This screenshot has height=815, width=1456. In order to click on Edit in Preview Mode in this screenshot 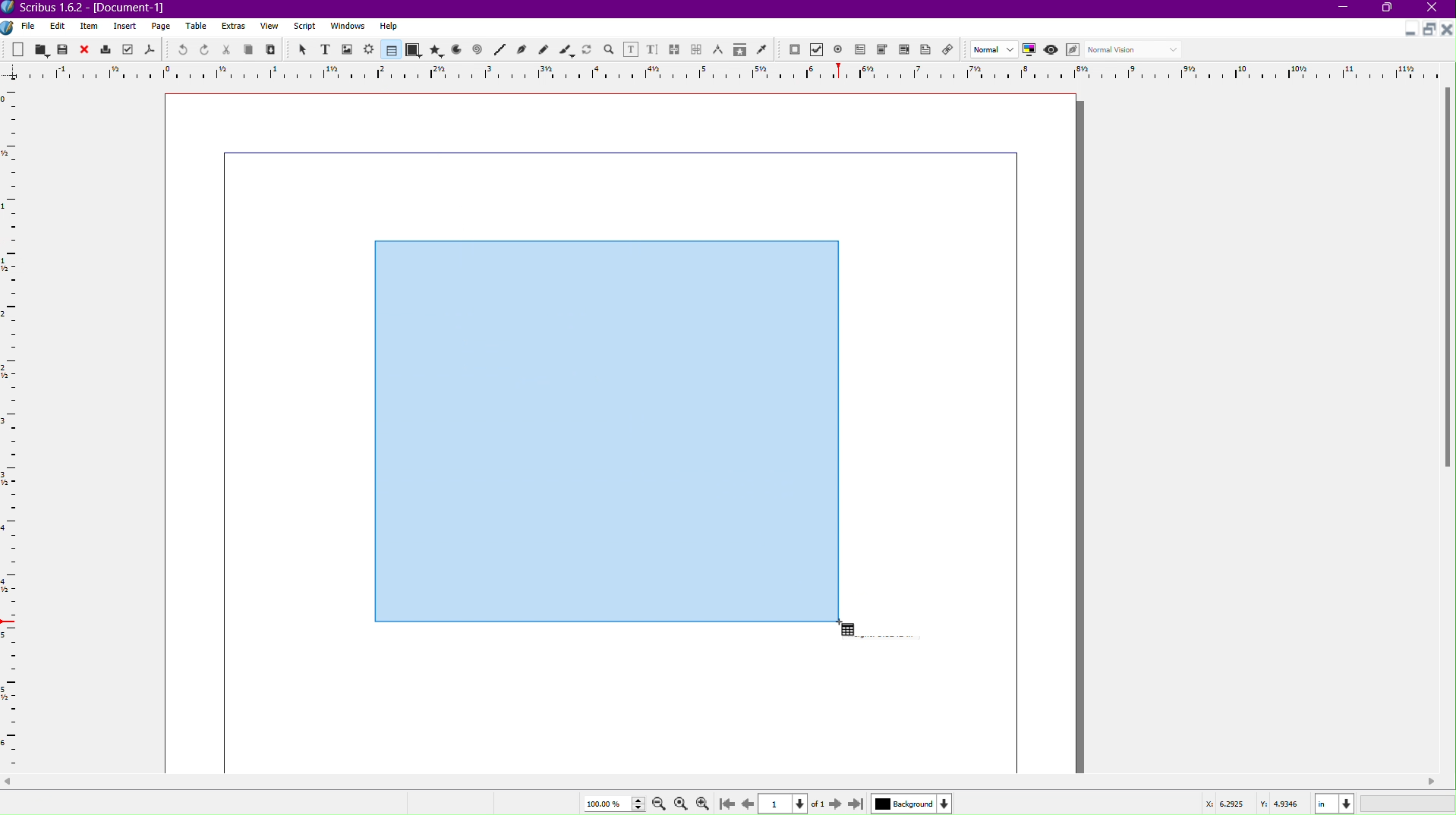, I will do `click(1075, 50)`.